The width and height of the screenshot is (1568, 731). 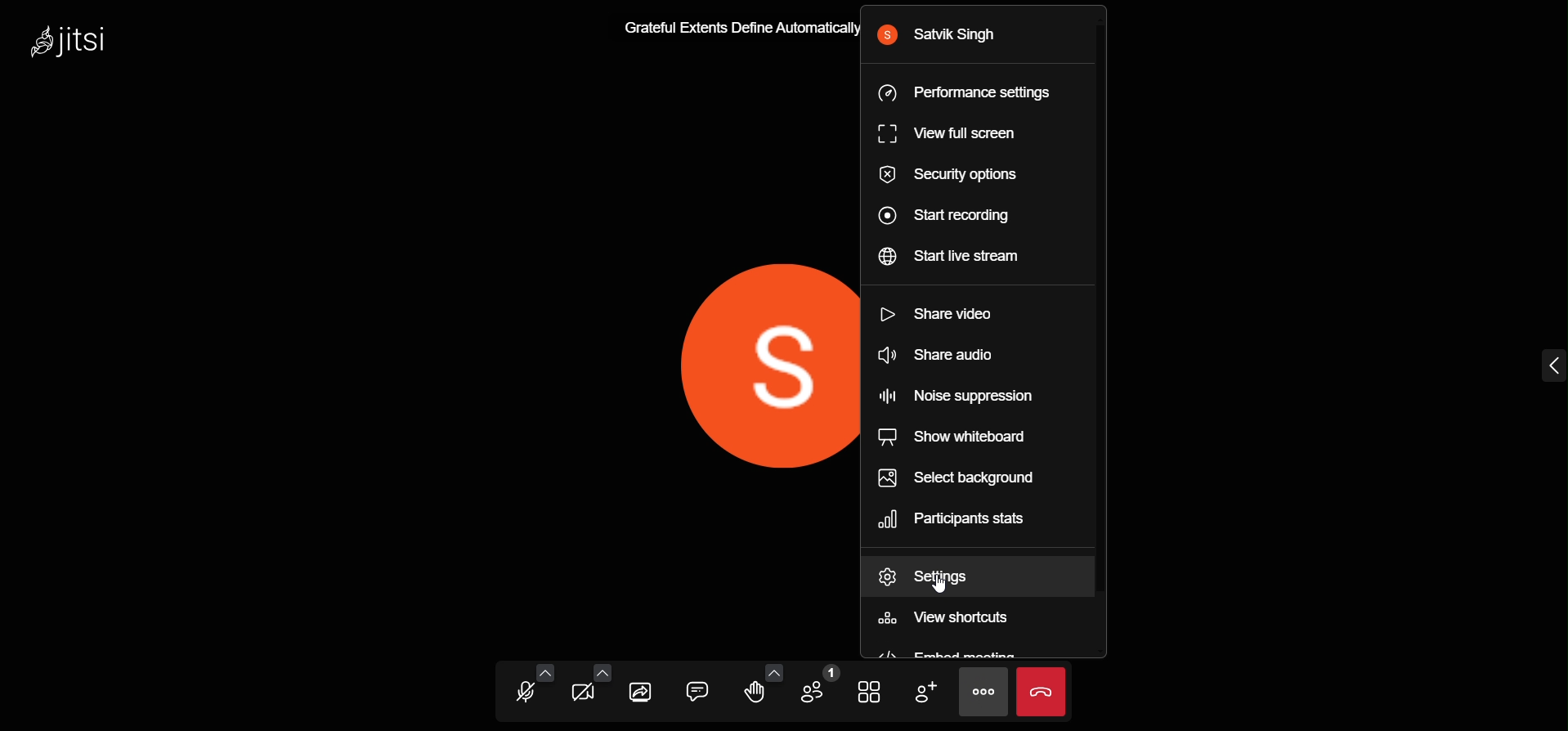 I want to click on cursor, so click(x=940, y=585).